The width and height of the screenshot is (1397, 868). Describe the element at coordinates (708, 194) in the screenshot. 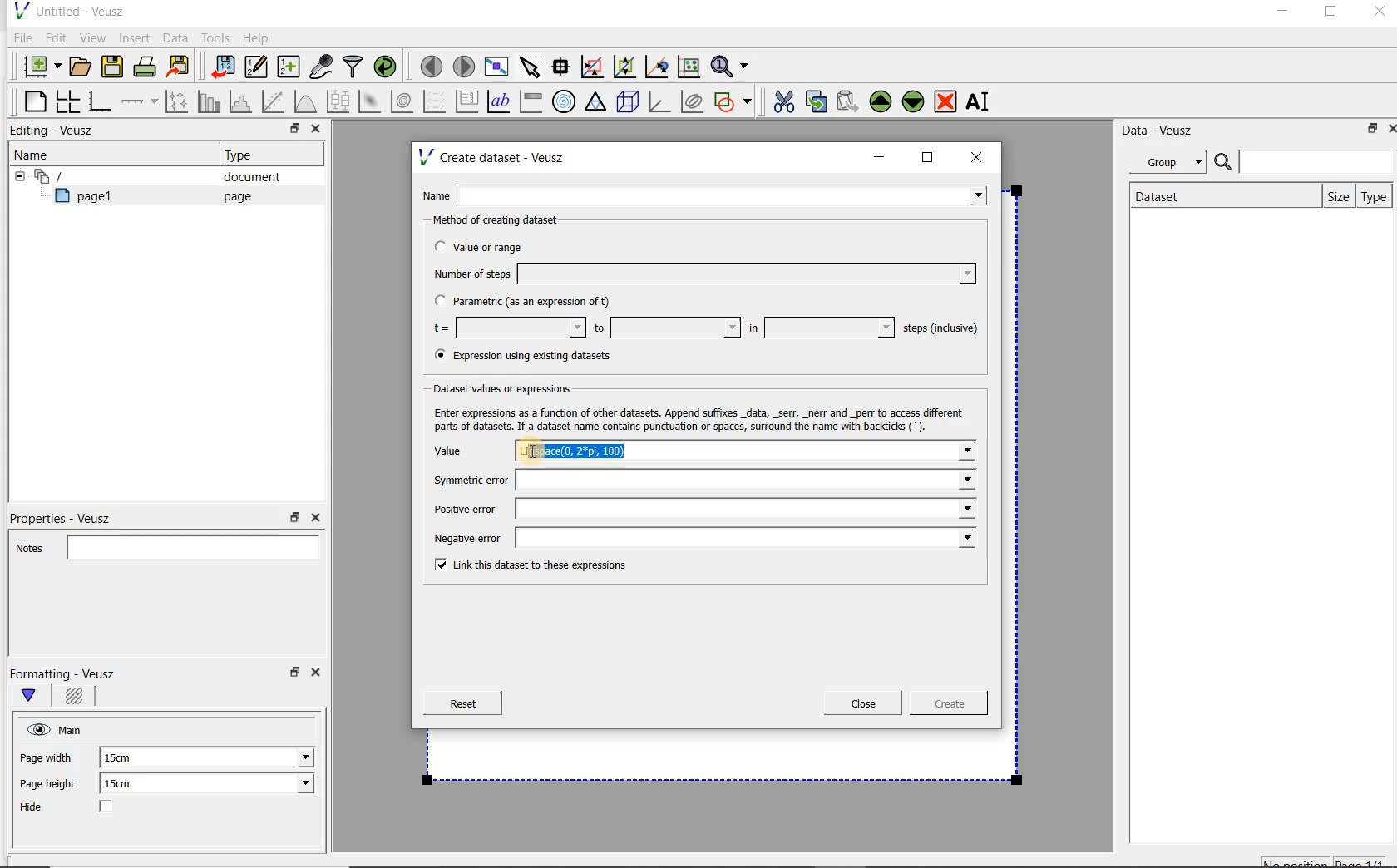

I see `Name` at that location.